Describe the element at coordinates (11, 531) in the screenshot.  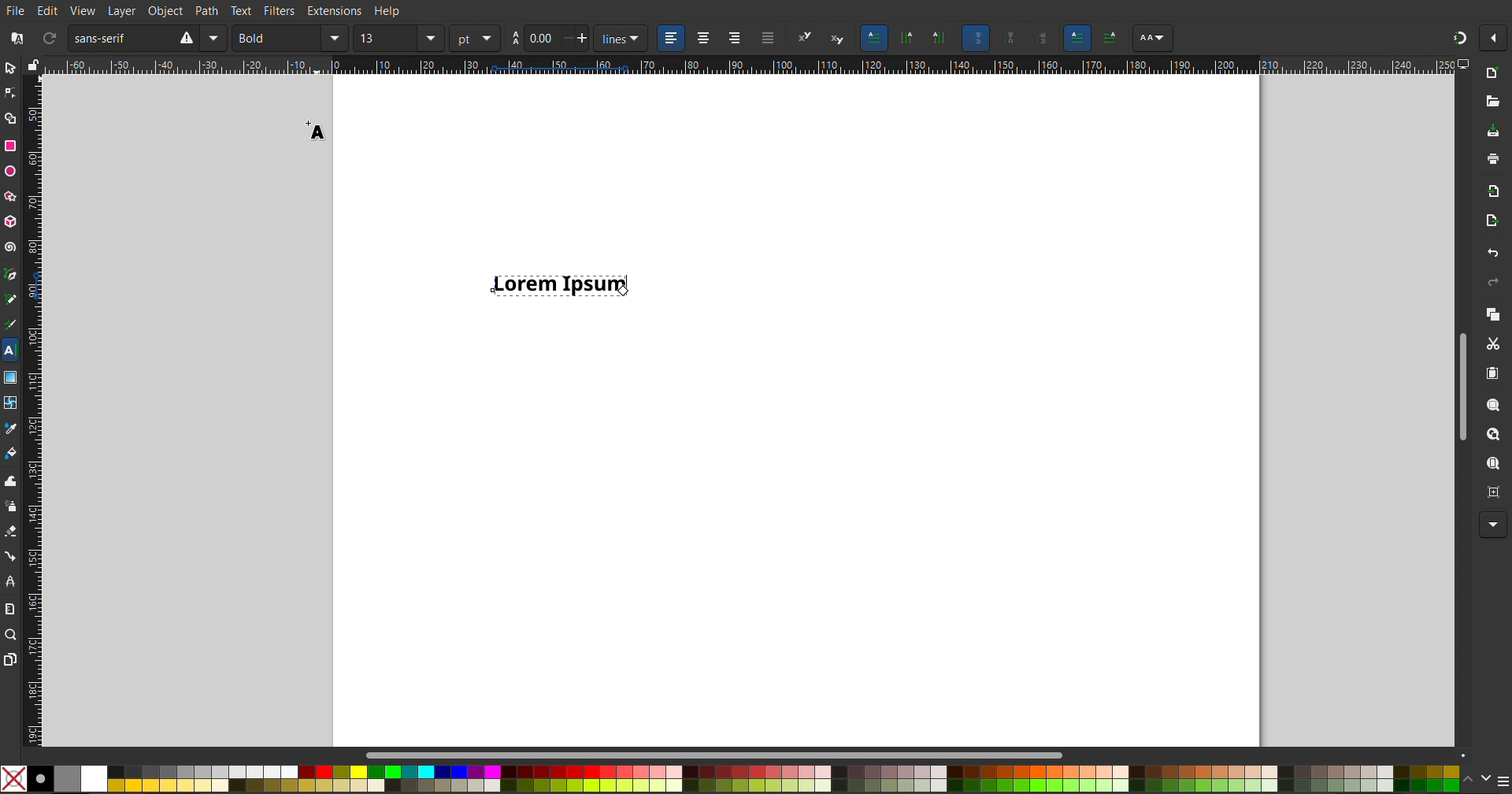
I see `Eraser Tool` at that location.